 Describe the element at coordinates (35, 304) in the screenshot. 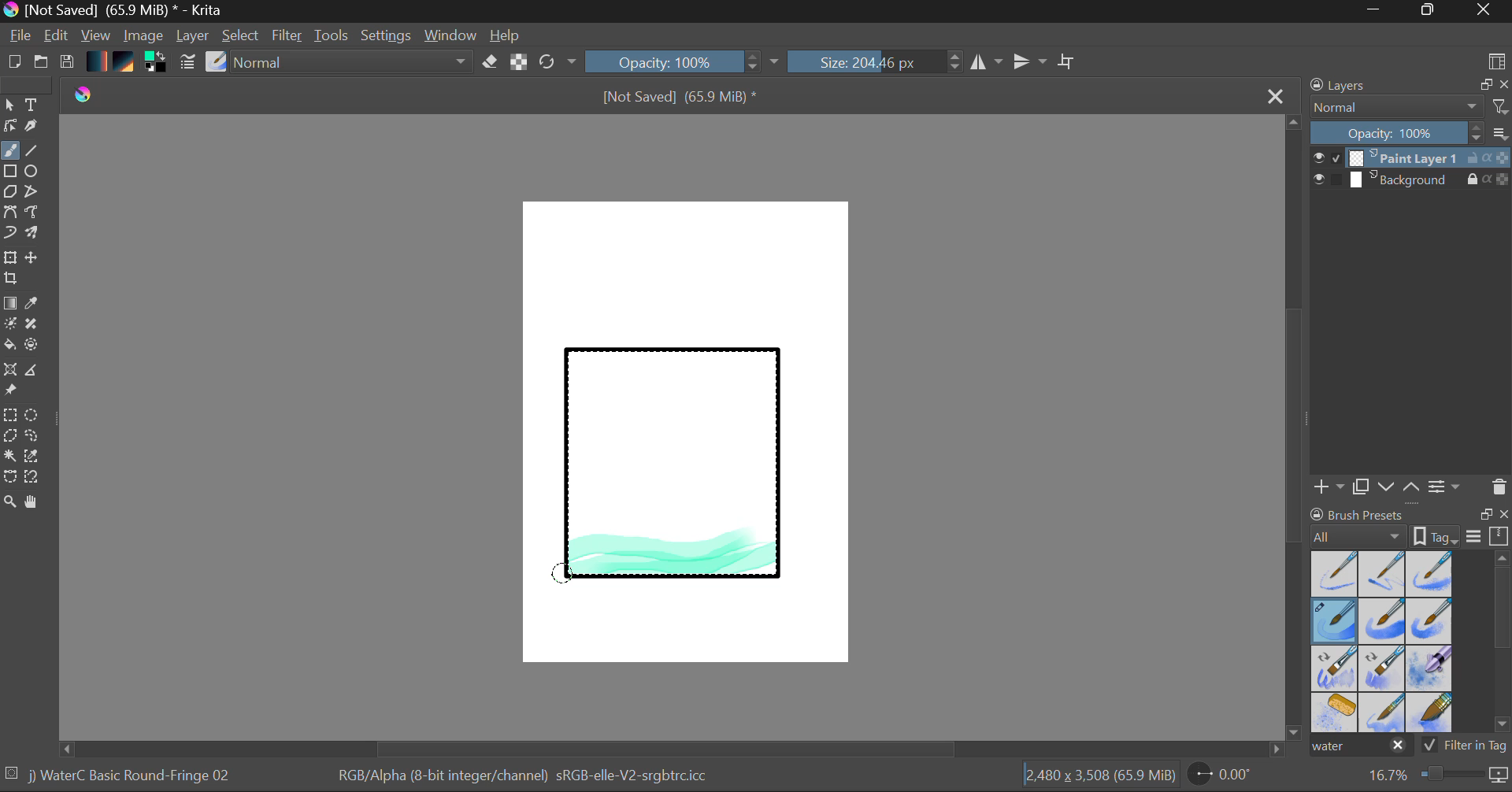

I see `Eyedropper` at that location.